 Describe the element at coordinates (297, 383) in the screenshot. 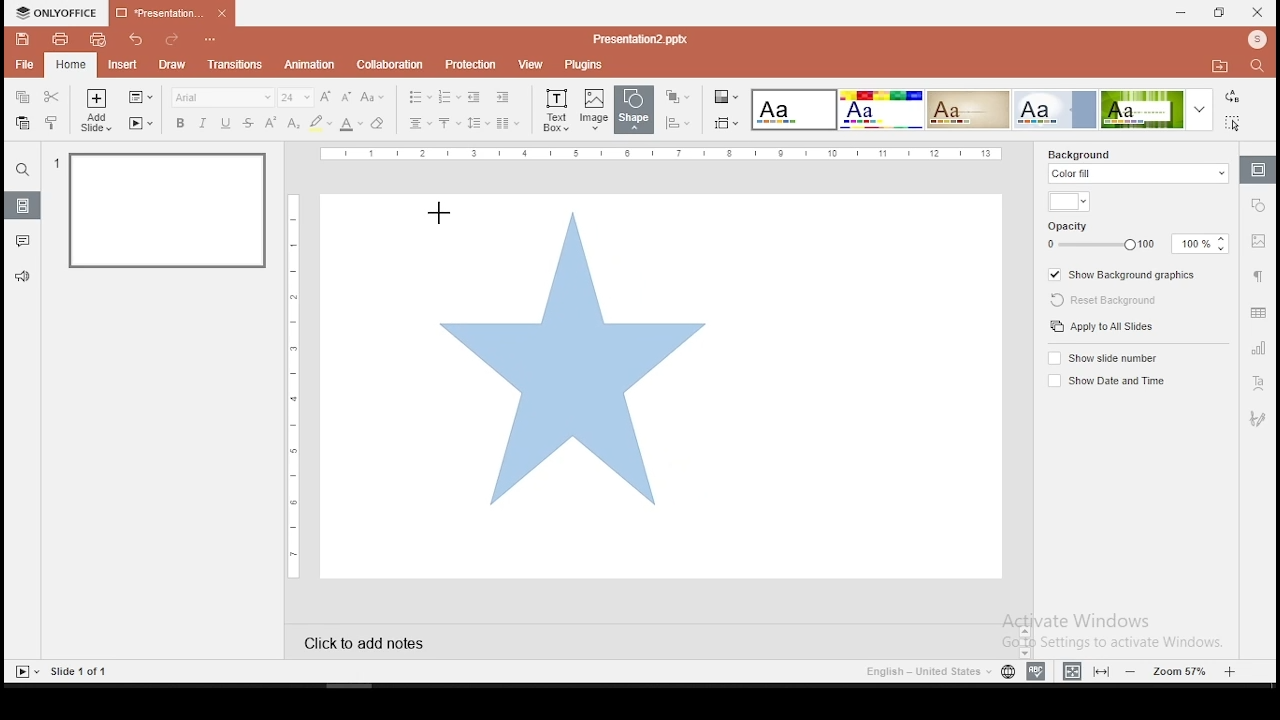

I see `vertical scale` at that location.